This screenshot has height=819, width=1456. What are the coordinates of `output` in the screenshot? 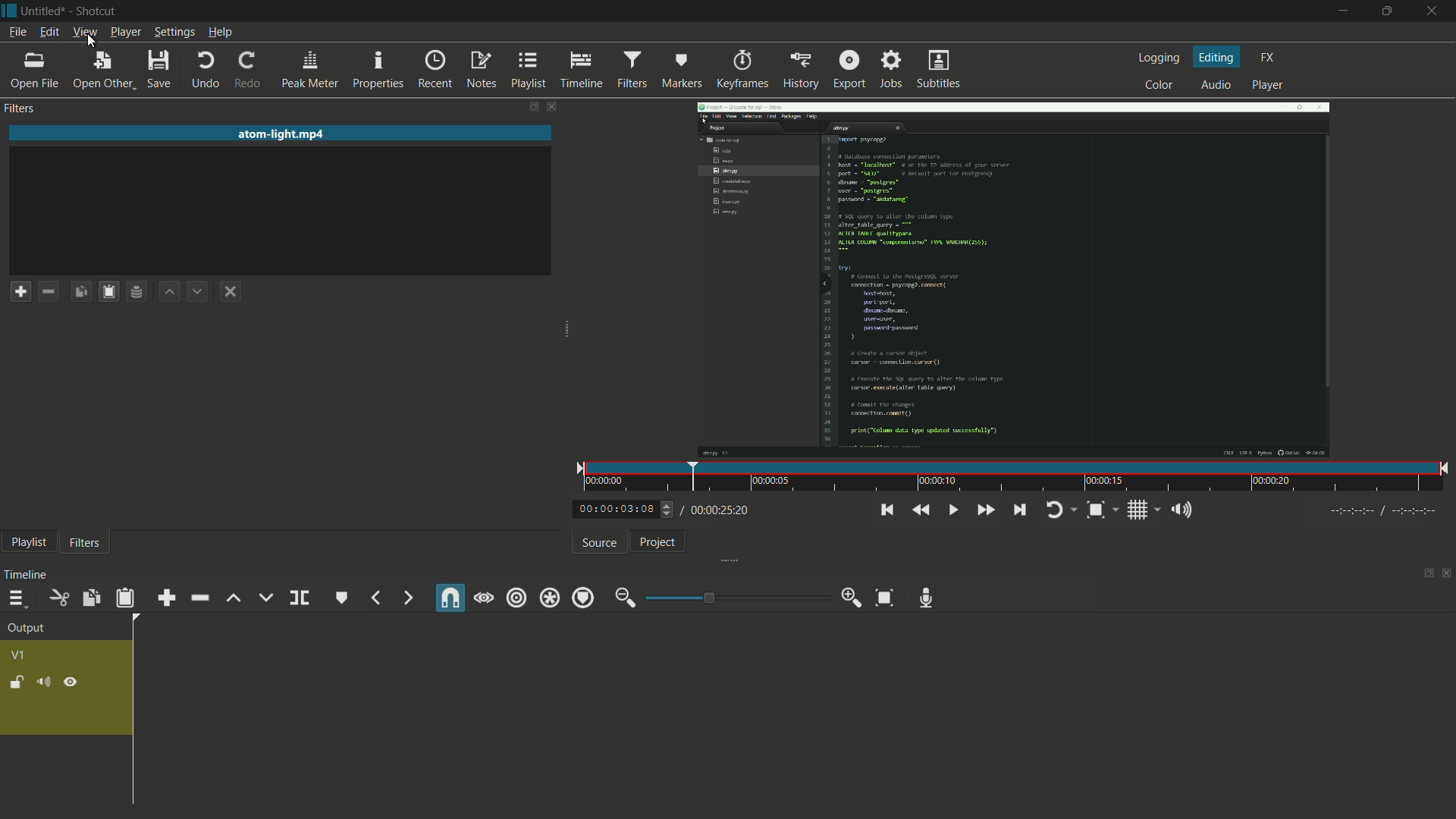 It's located at (26, 628).